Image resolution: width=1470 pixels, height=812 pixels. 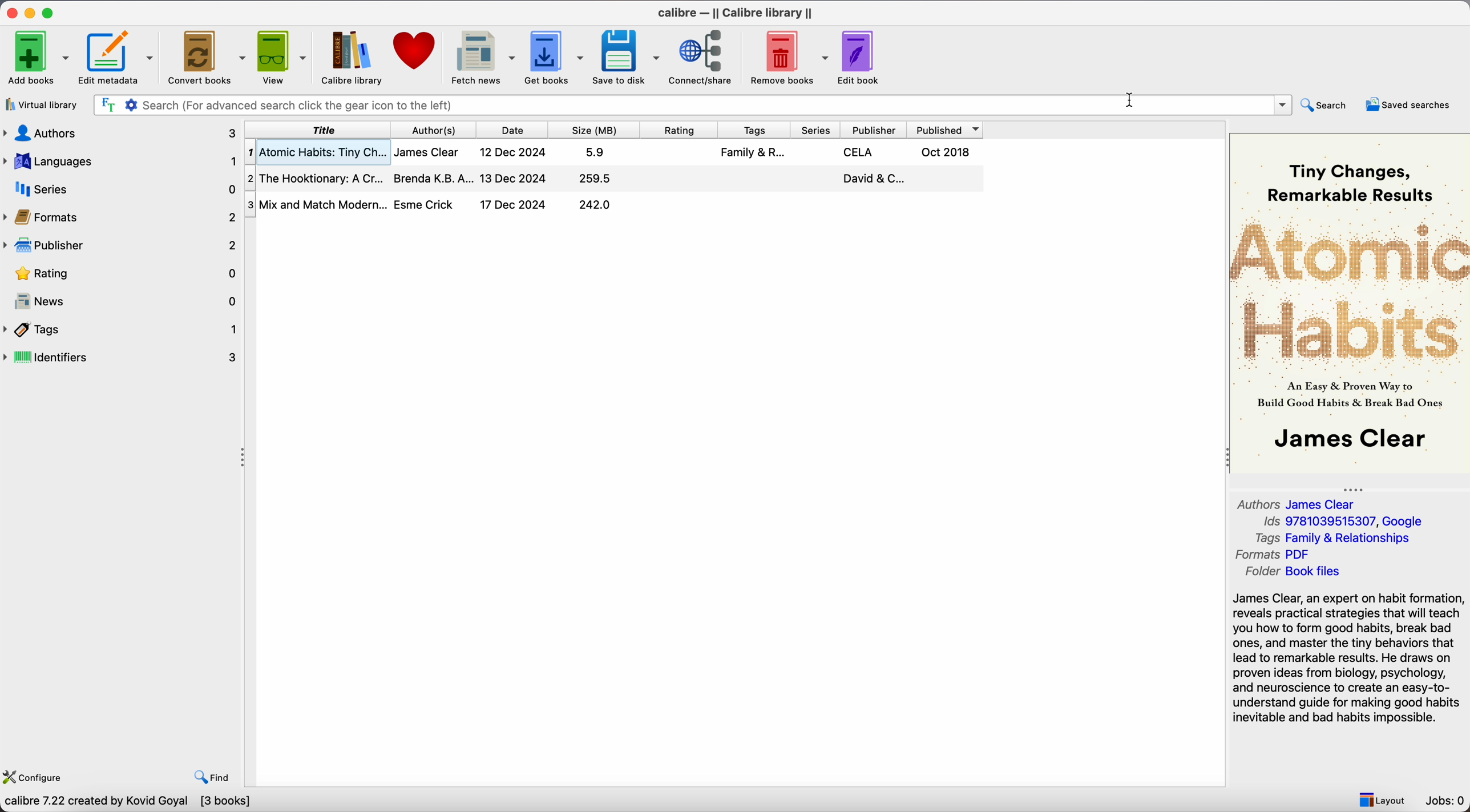 What do you see at coordinates (789, 57) in the screenshot?
I see `remove books` at bounding box center [789, 57].